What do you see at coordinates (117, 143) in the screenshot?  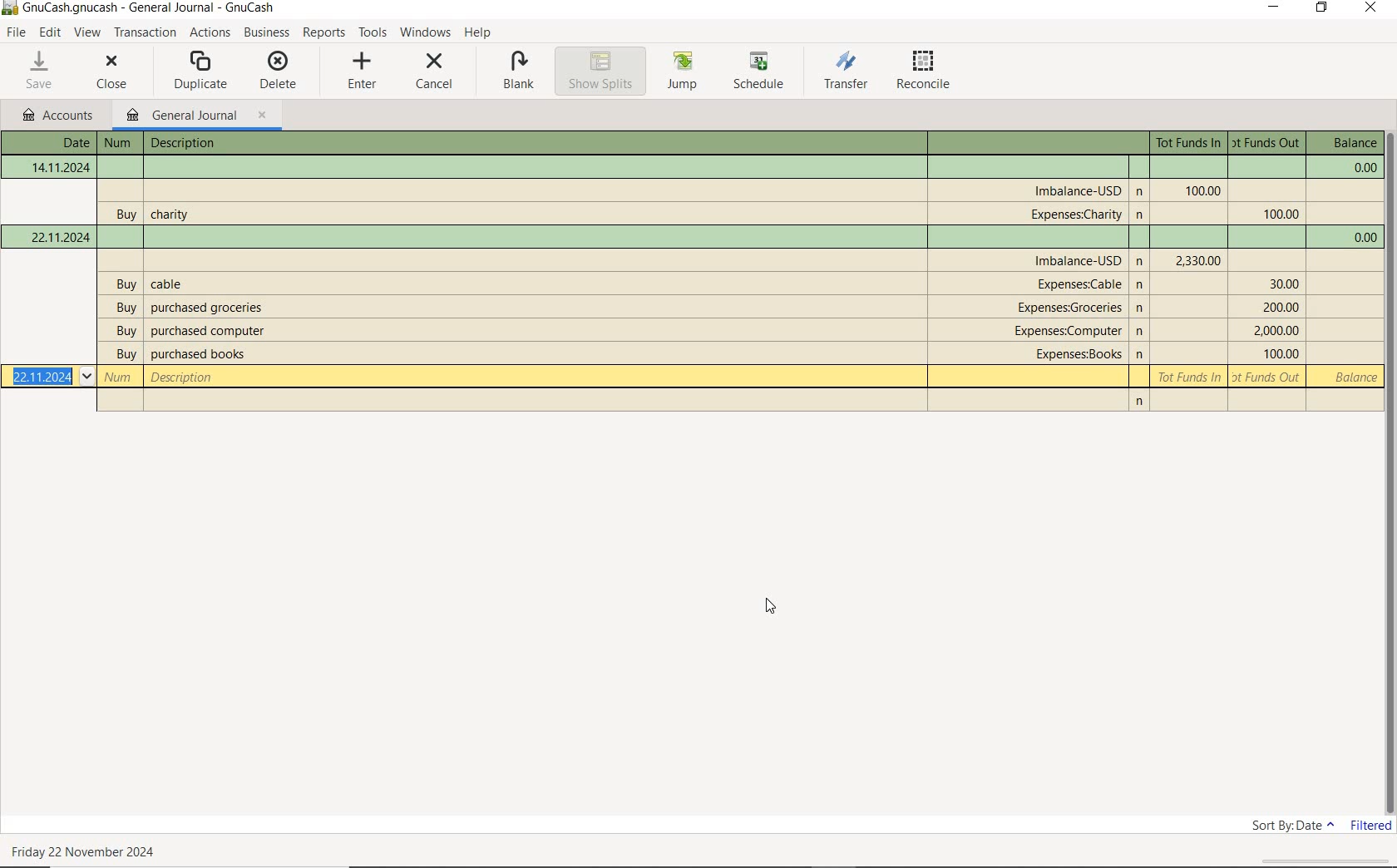 I see `Number` at bounding box center [117, 143].